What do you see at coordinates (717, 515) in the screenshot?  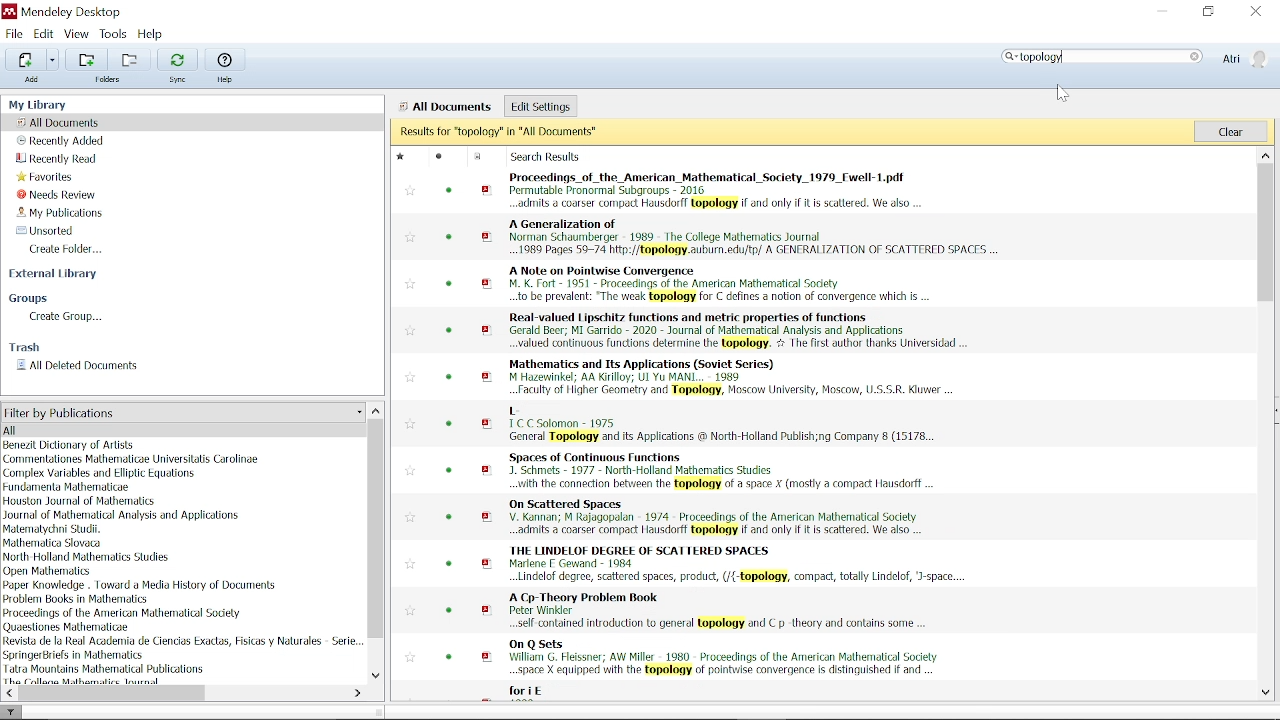 I see `citation` at bounding box center [717, 515].